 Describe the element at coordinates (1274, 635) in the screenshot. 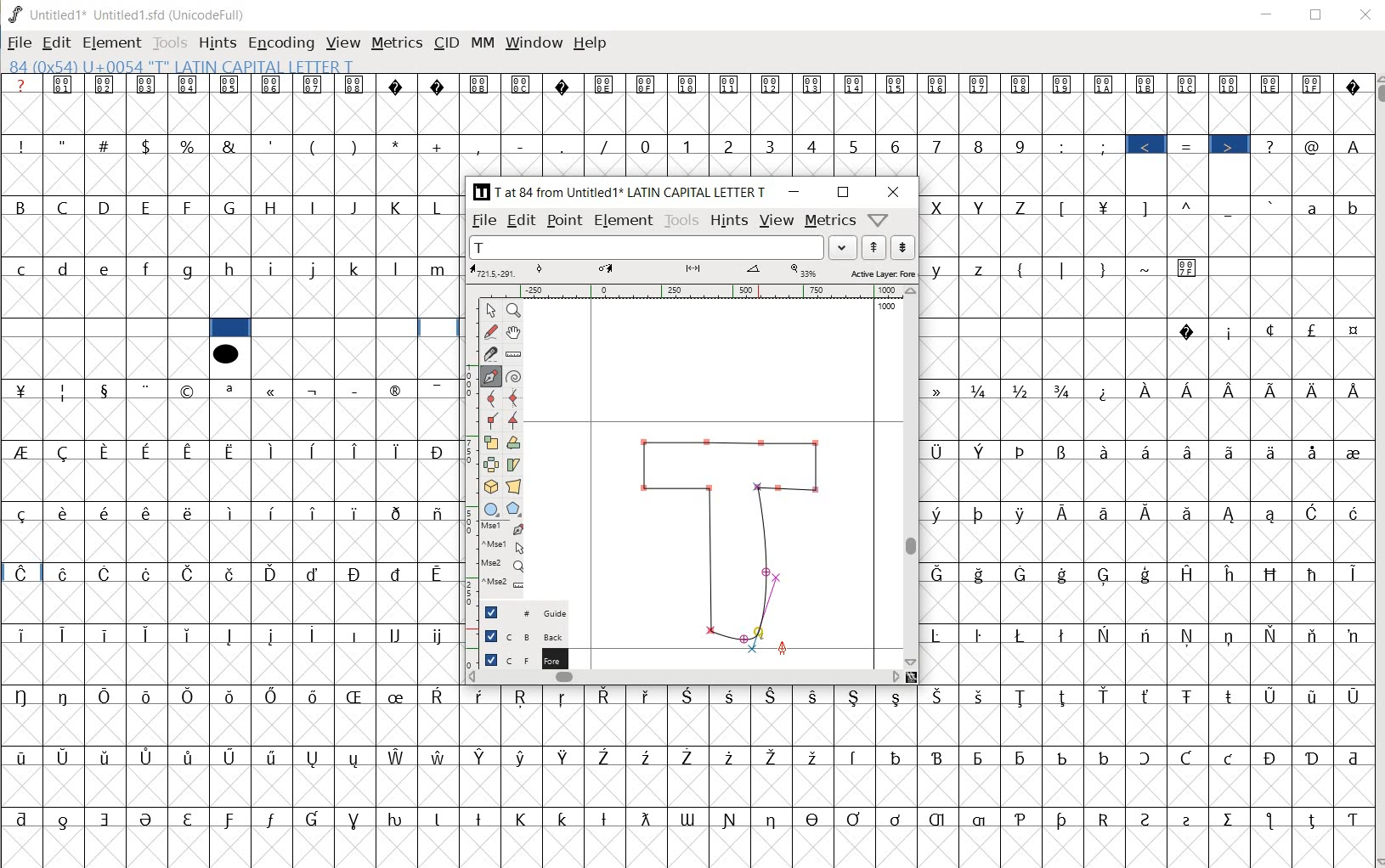

I see `Symbol` at that location.